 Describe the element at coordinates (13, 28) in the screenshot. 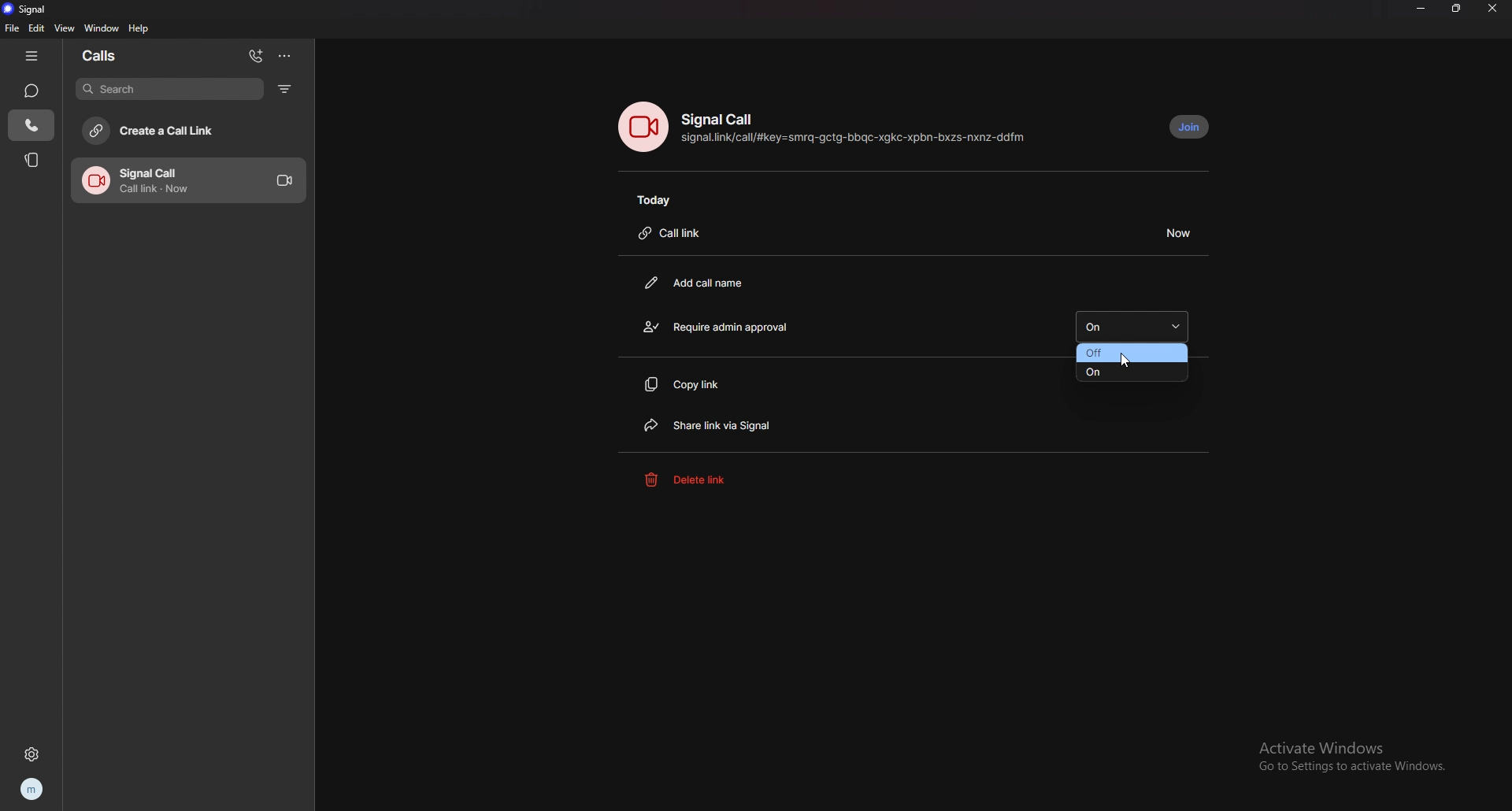

I see `file` at that location.